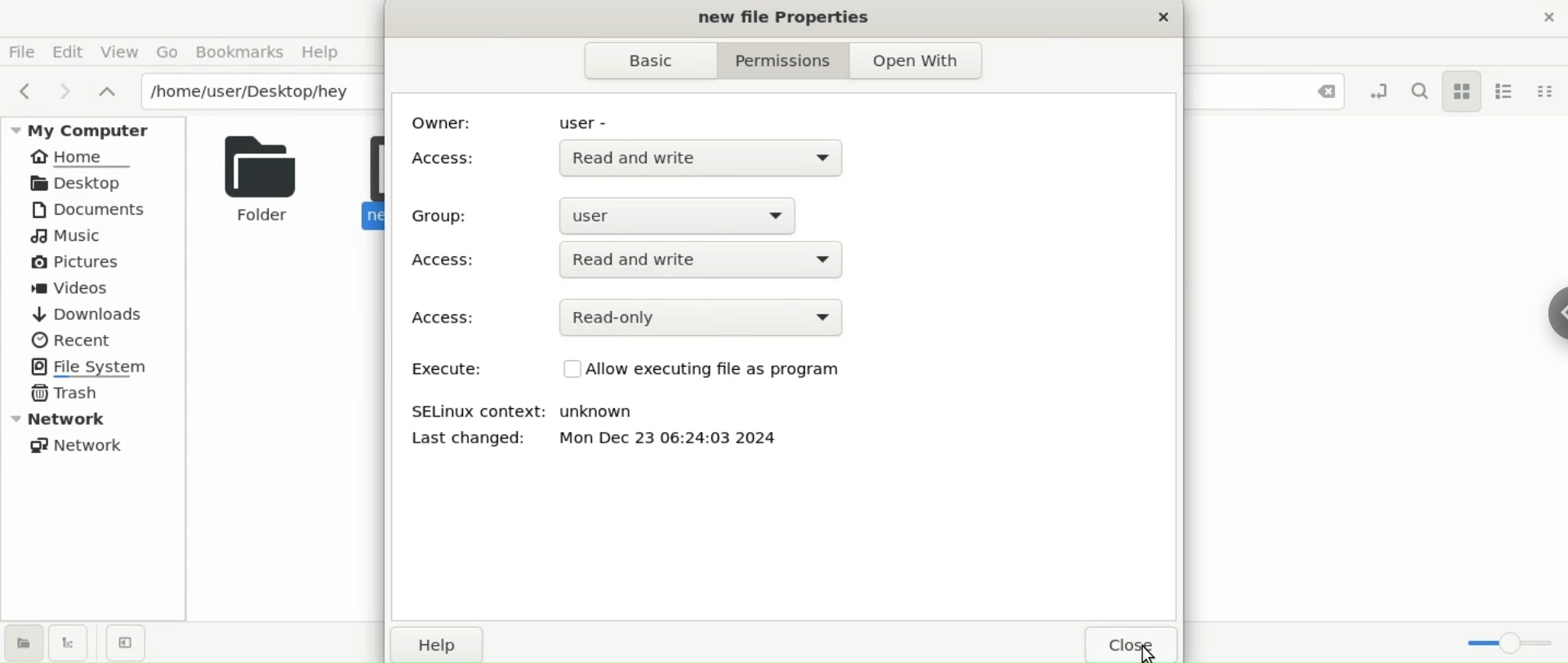 This screenshot has height=663, width=1568. I want to click on toggle location entry, so click(1379, 89).